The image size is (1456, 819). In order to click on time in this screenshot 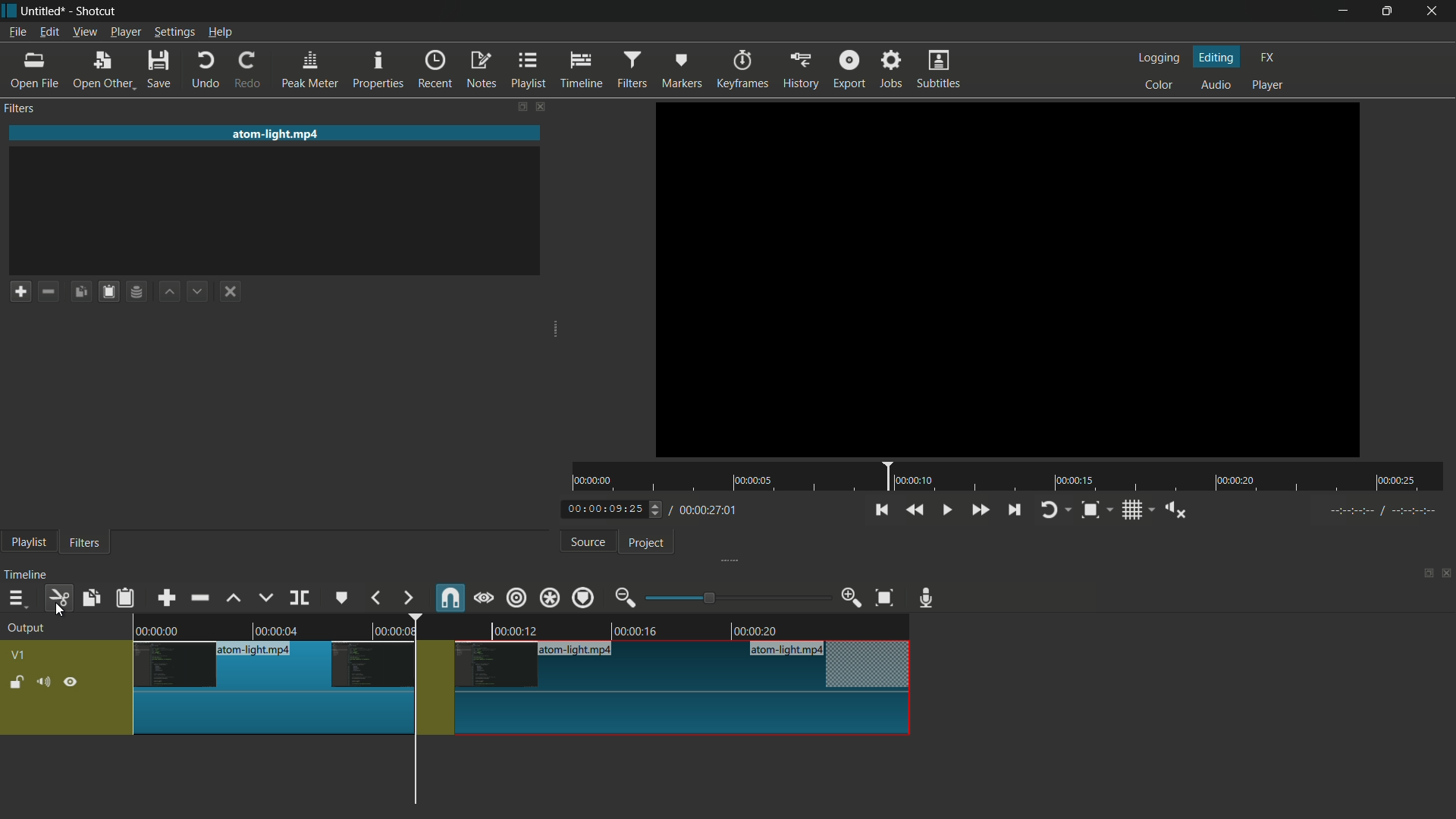, I will do `click(1009, 477)`.